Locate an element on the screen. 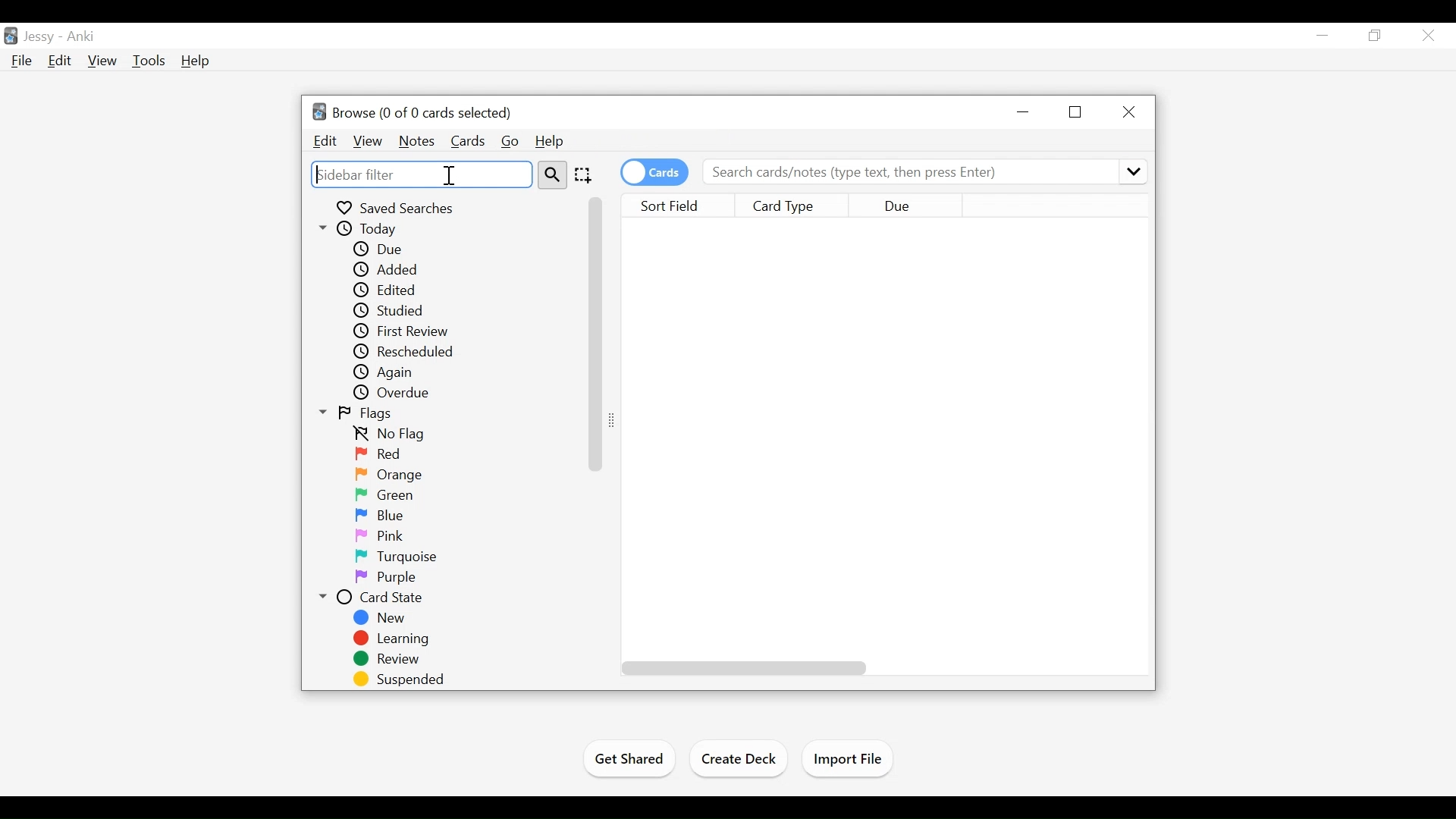 This screenshot has width=1456, height=819. Edit is located at coordinates (325, 141).